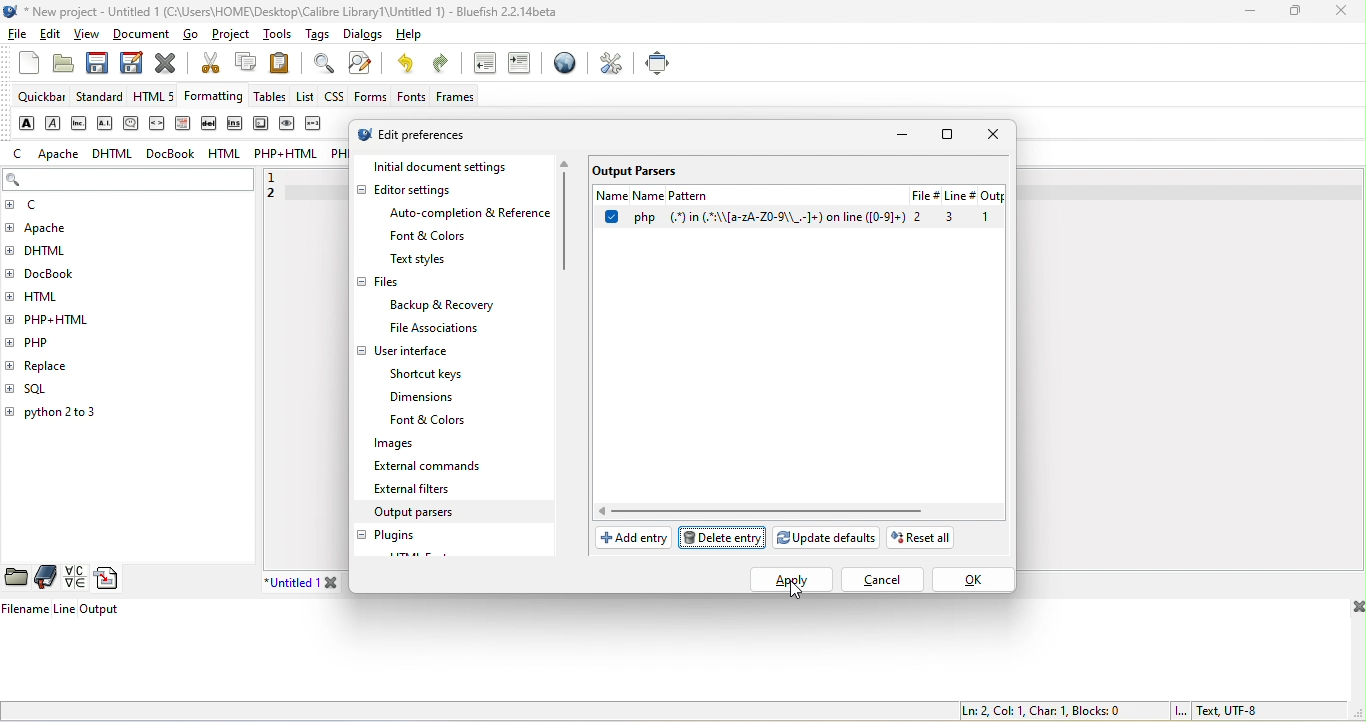 This screenshot has width=1366, height=722. What do you see at coordinates (115, 152) in the screenshot?
I see `dhtml` at bounding box center [115, 152].